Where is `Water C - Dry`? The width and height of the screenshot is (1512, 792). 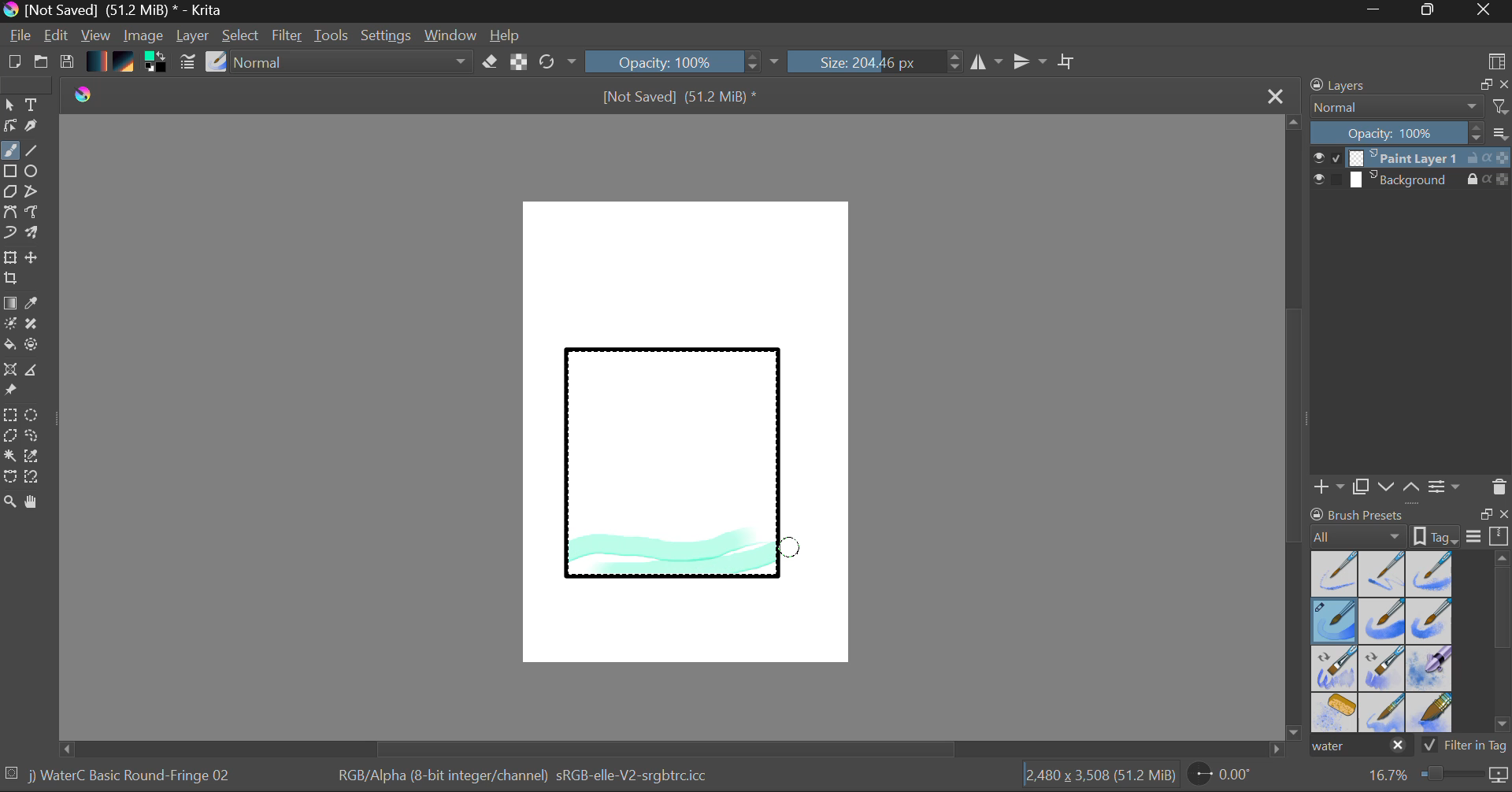
Water C - Dry is located at coordinates (1336, 572).